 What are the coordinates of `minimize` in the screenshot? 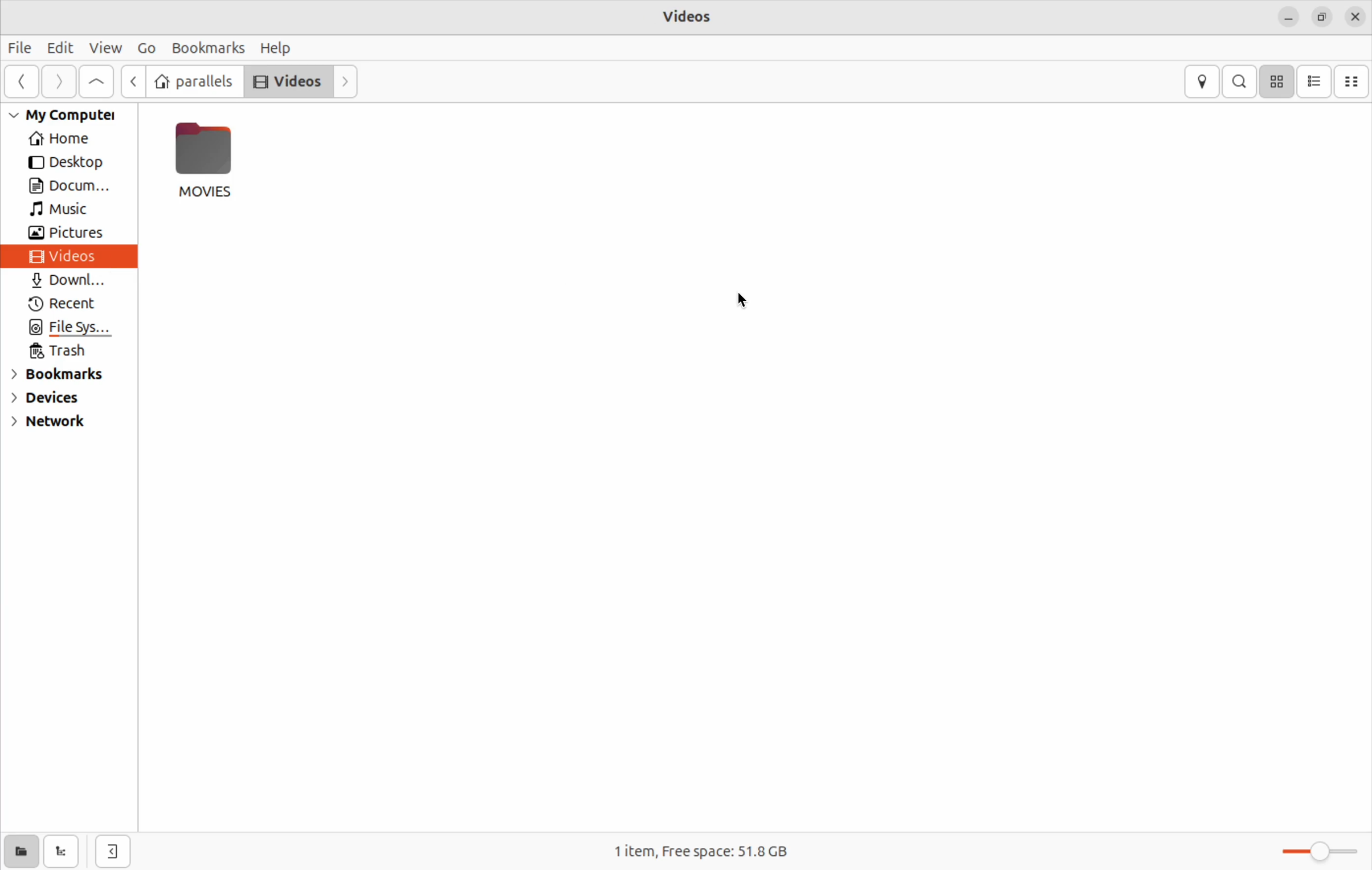 It's located at (1287, 17).